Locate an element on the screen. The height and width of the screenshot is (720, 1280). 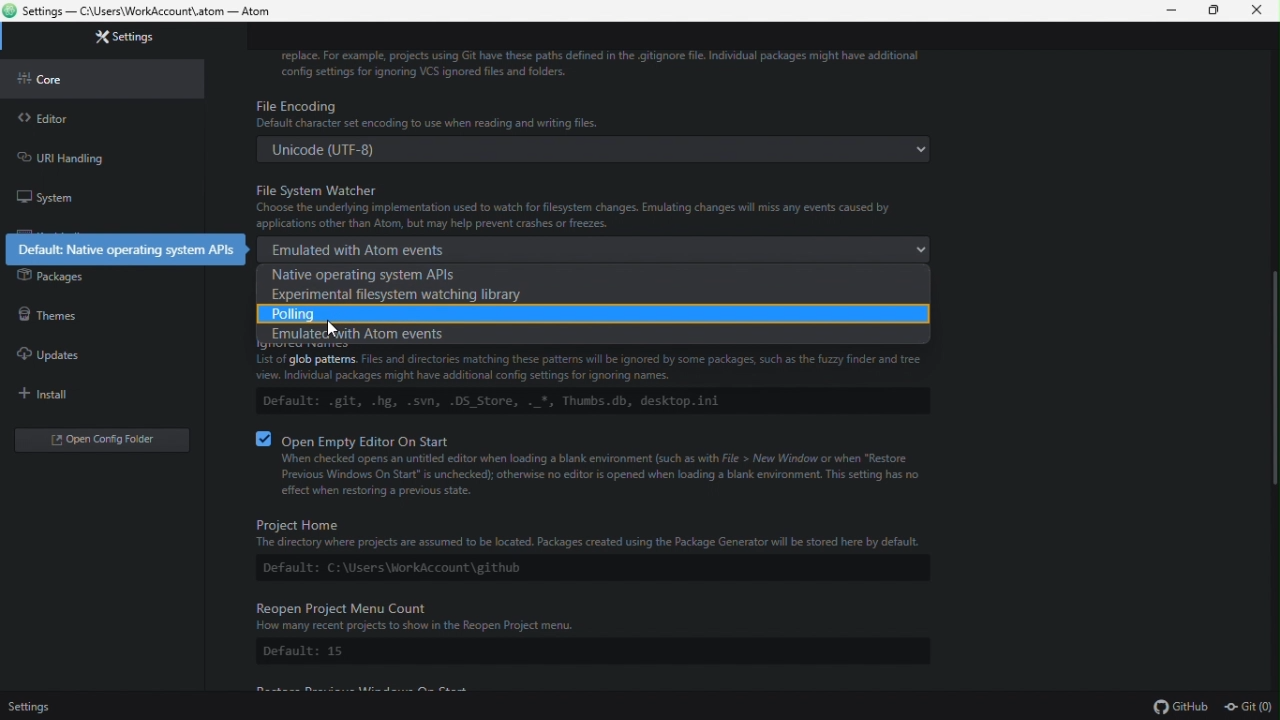
updates is located at coordinates (93, 356).